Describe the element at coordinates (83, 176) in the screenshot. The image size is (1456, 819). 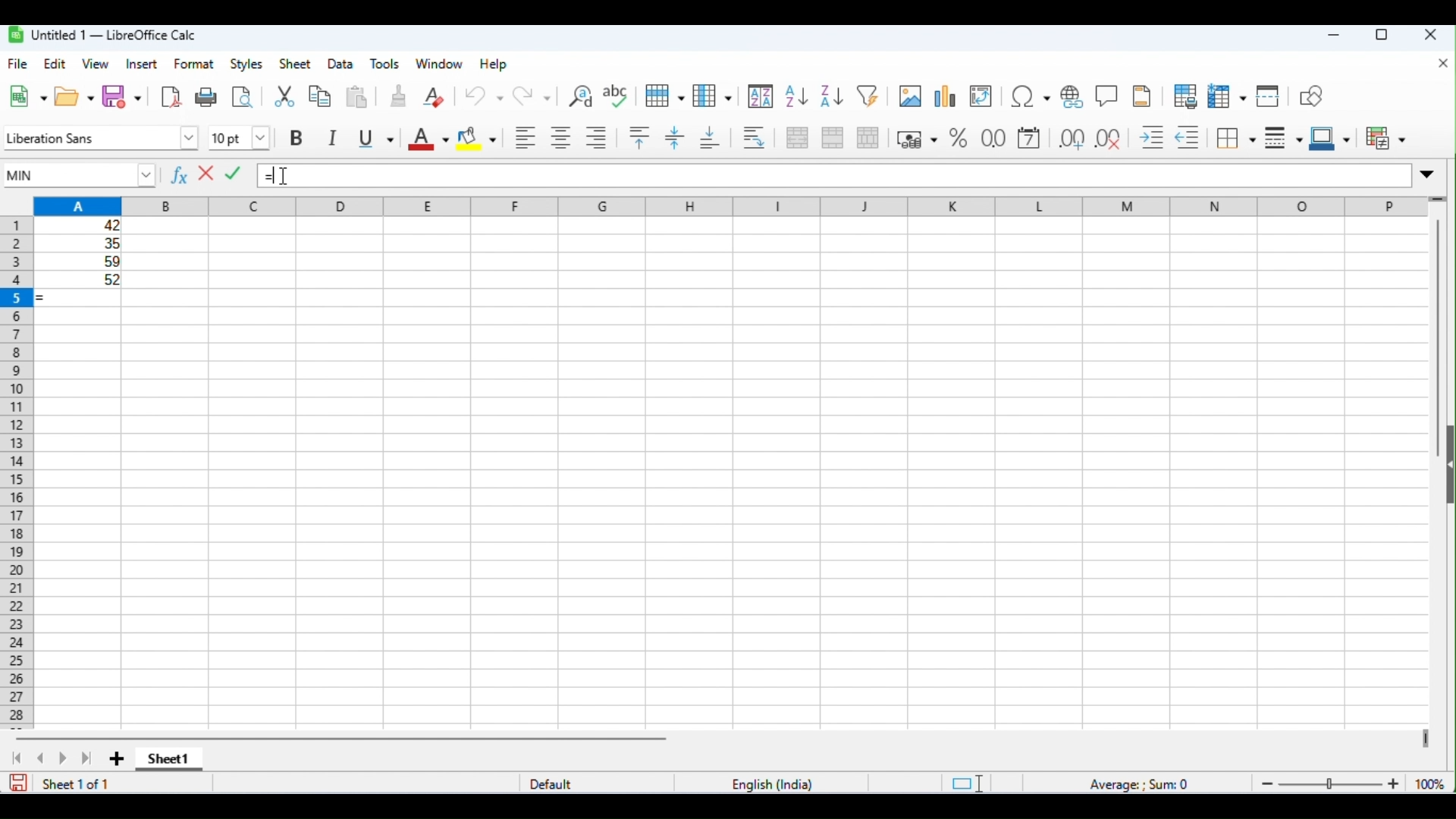
I see `MIN function` at that location.